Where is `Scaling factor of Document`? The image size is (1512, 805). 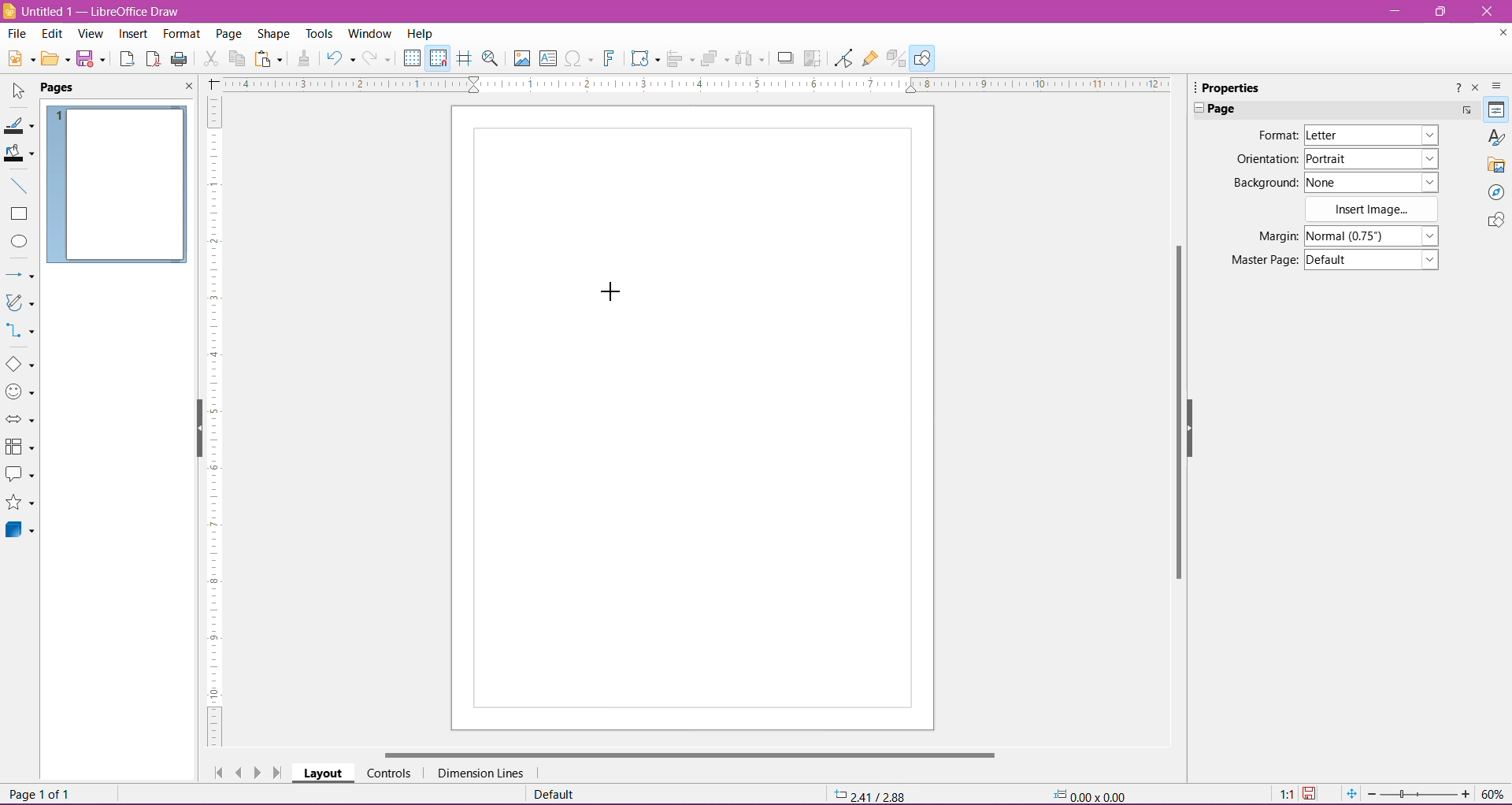 Scaling factor of Document is located at coordinates (1286, 795).